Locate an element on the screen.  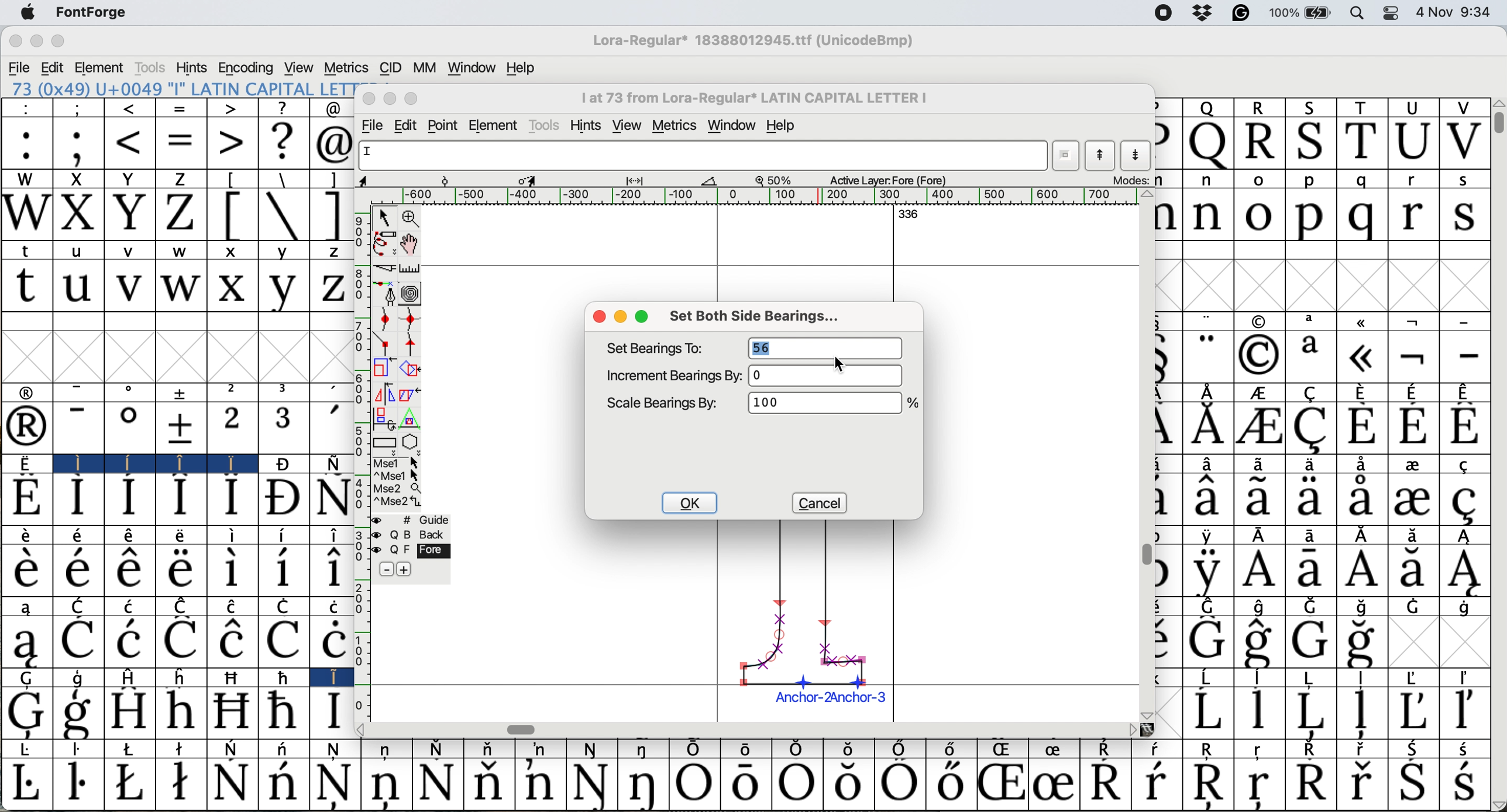
Symbol is located at coordinates (131, 536).